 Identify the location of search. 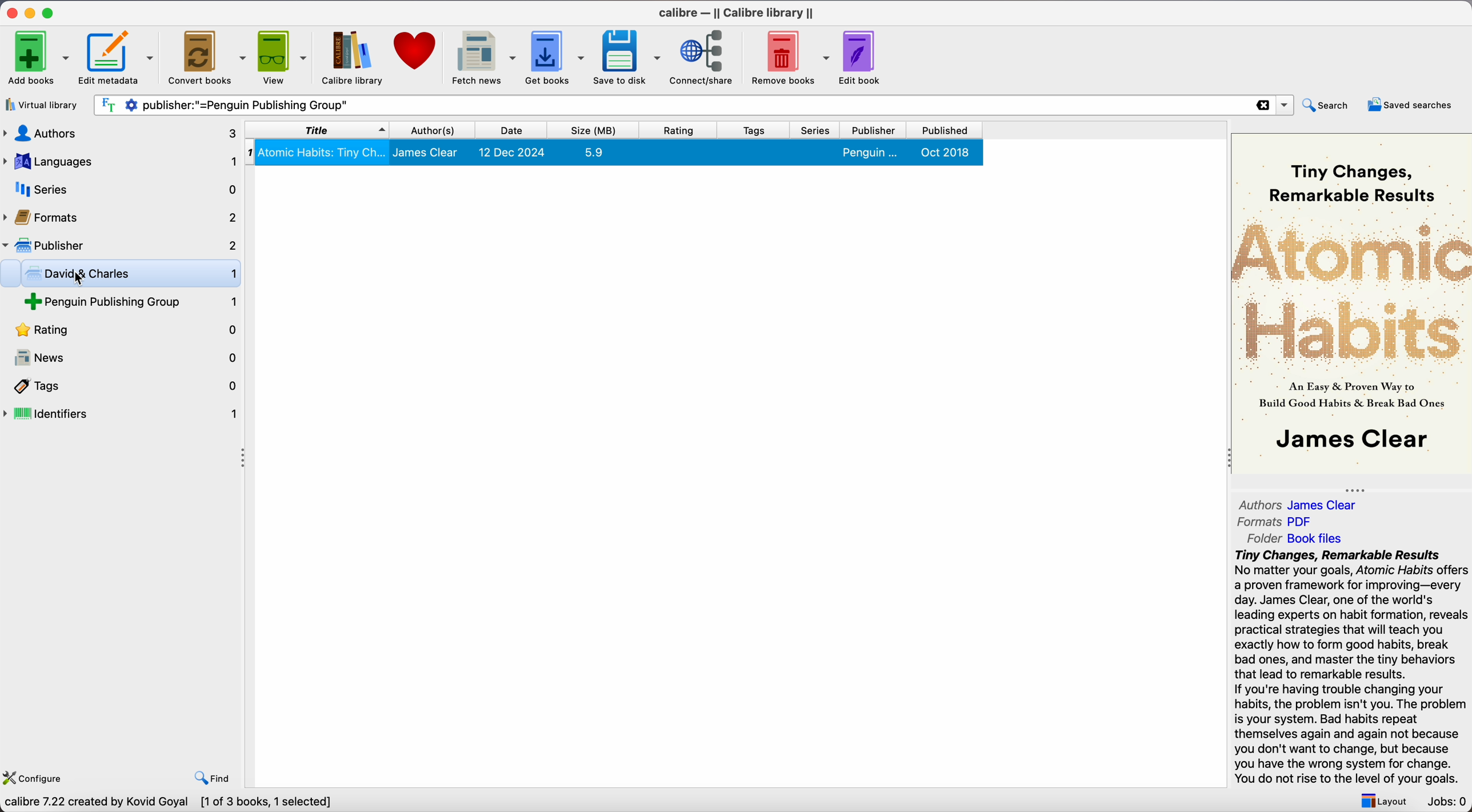
(1327, 104).